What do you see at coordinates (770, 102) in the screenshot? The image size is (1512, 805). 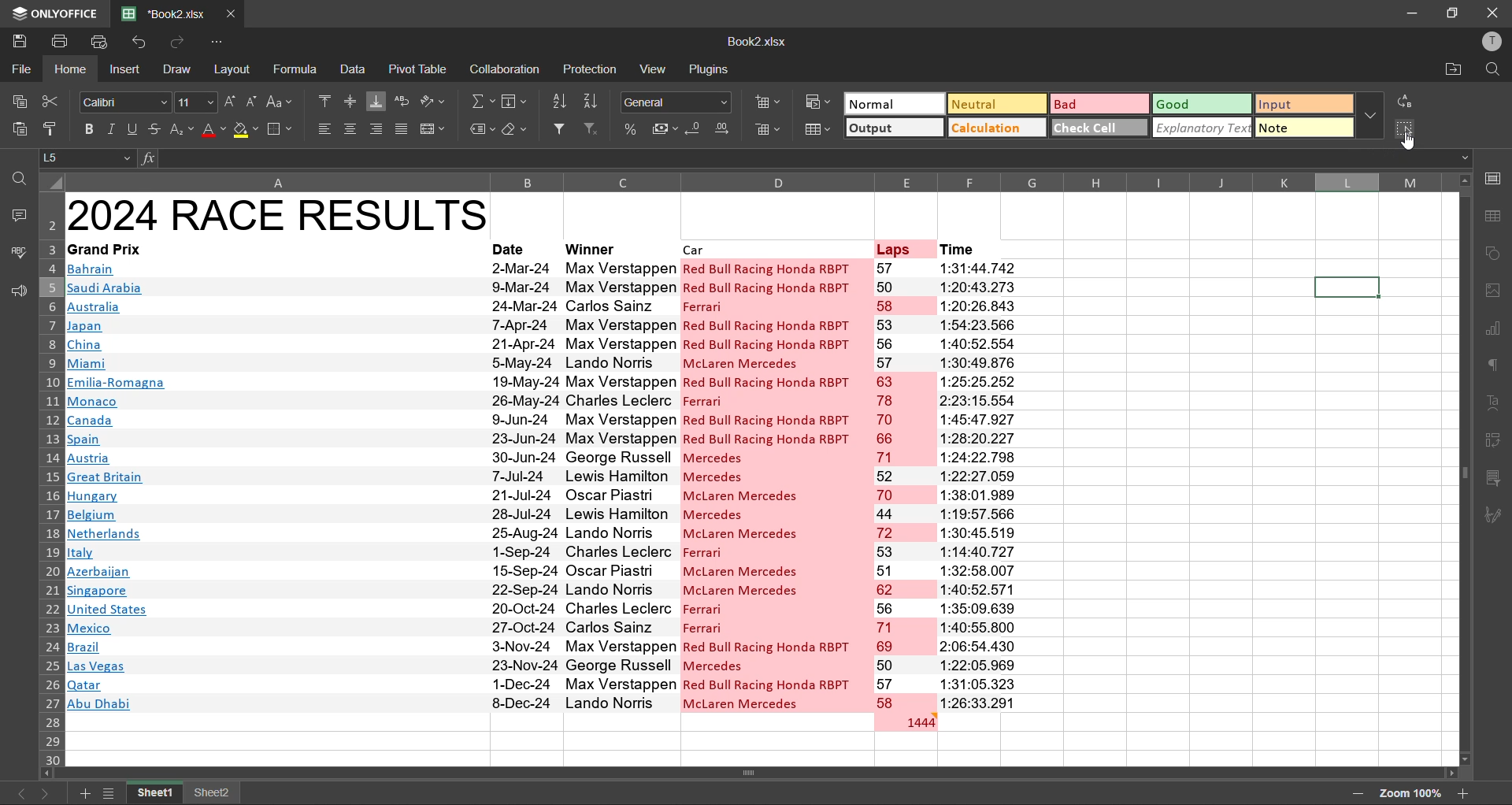 I see `insert cells` at bounding box center [770, 102].